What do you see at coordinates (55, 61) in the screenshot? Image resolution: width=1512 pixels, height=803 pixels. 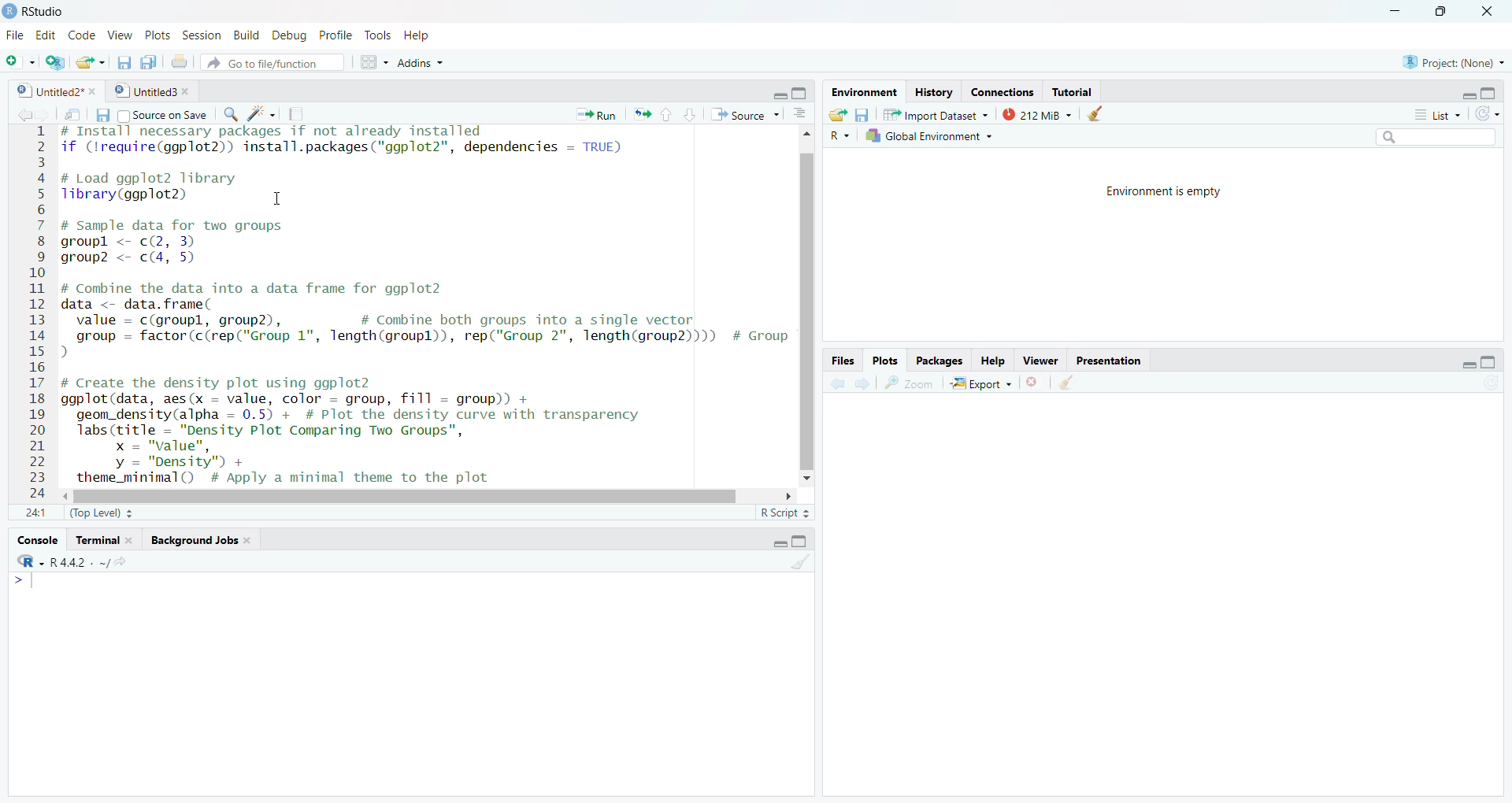 I see `create a project` at bounding box center [55, 61].